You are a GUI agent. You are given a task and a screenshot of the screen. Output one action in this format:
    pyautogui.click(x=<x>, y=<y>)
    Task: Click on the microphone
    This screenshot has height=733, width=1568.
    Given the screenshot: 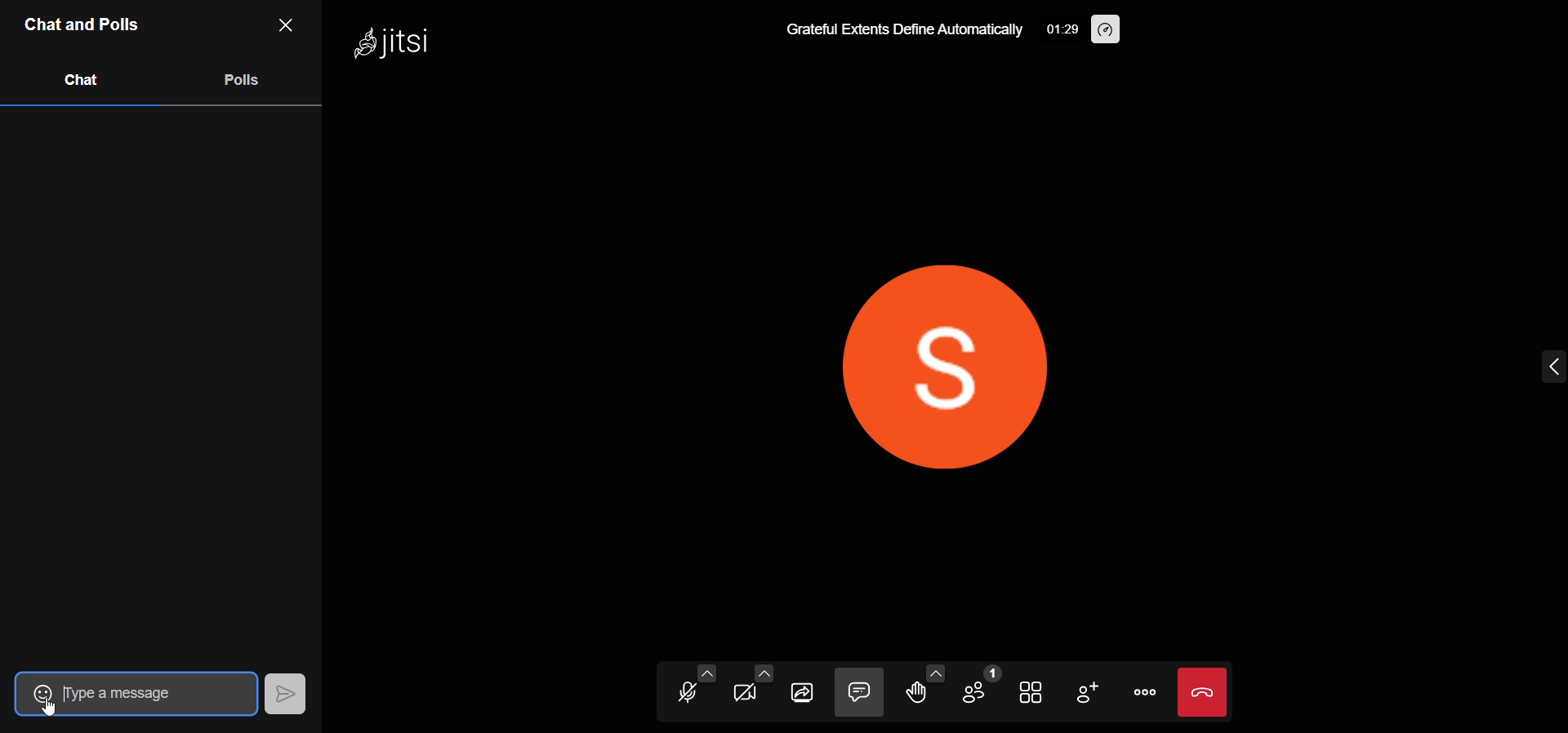 What is the action you would take?
    pyautogui.click(x=690, y=693)
    